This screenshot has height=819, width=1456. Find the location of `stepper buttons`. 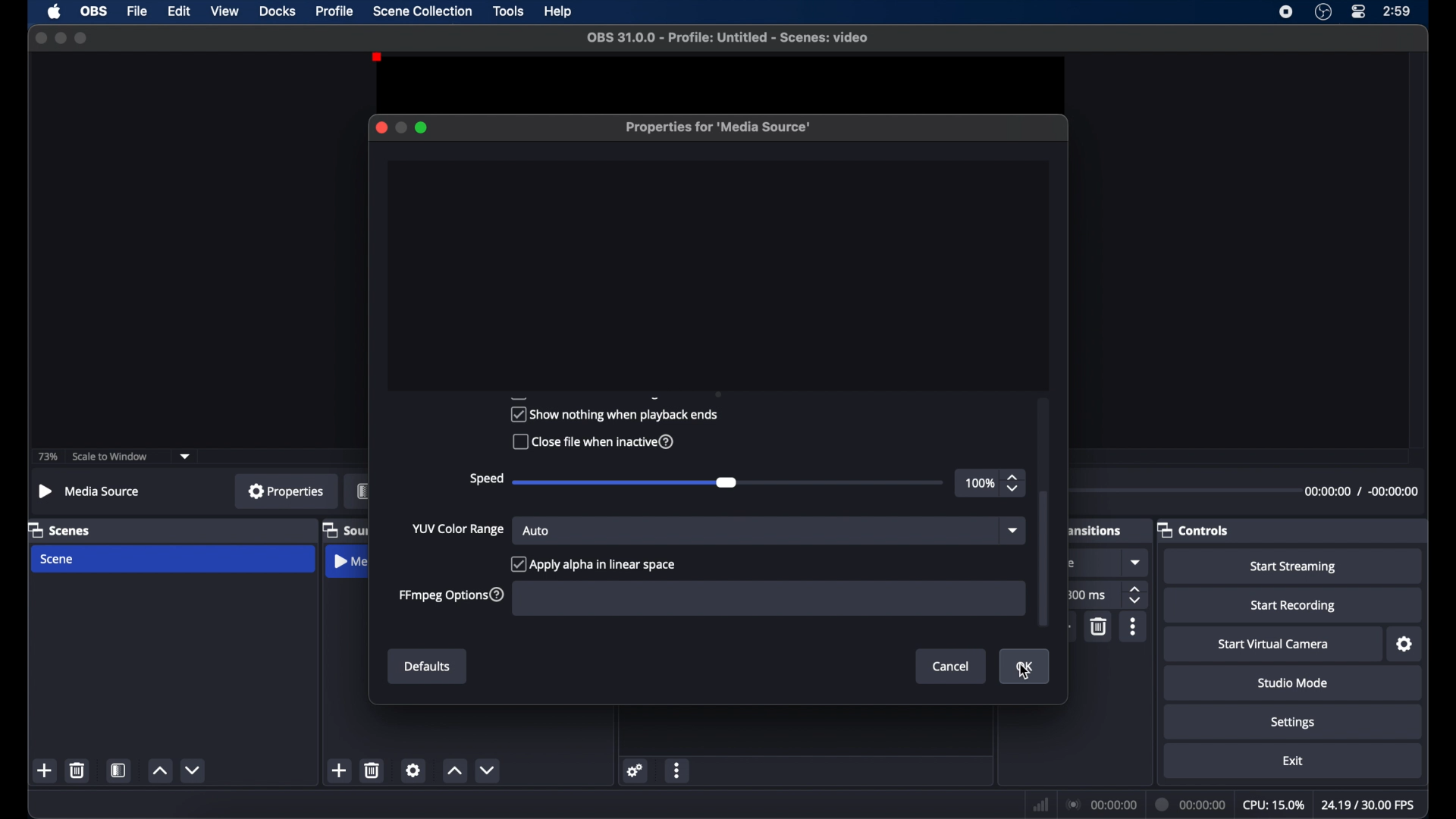

stepper buttons is located at coordinates (1013, 483).